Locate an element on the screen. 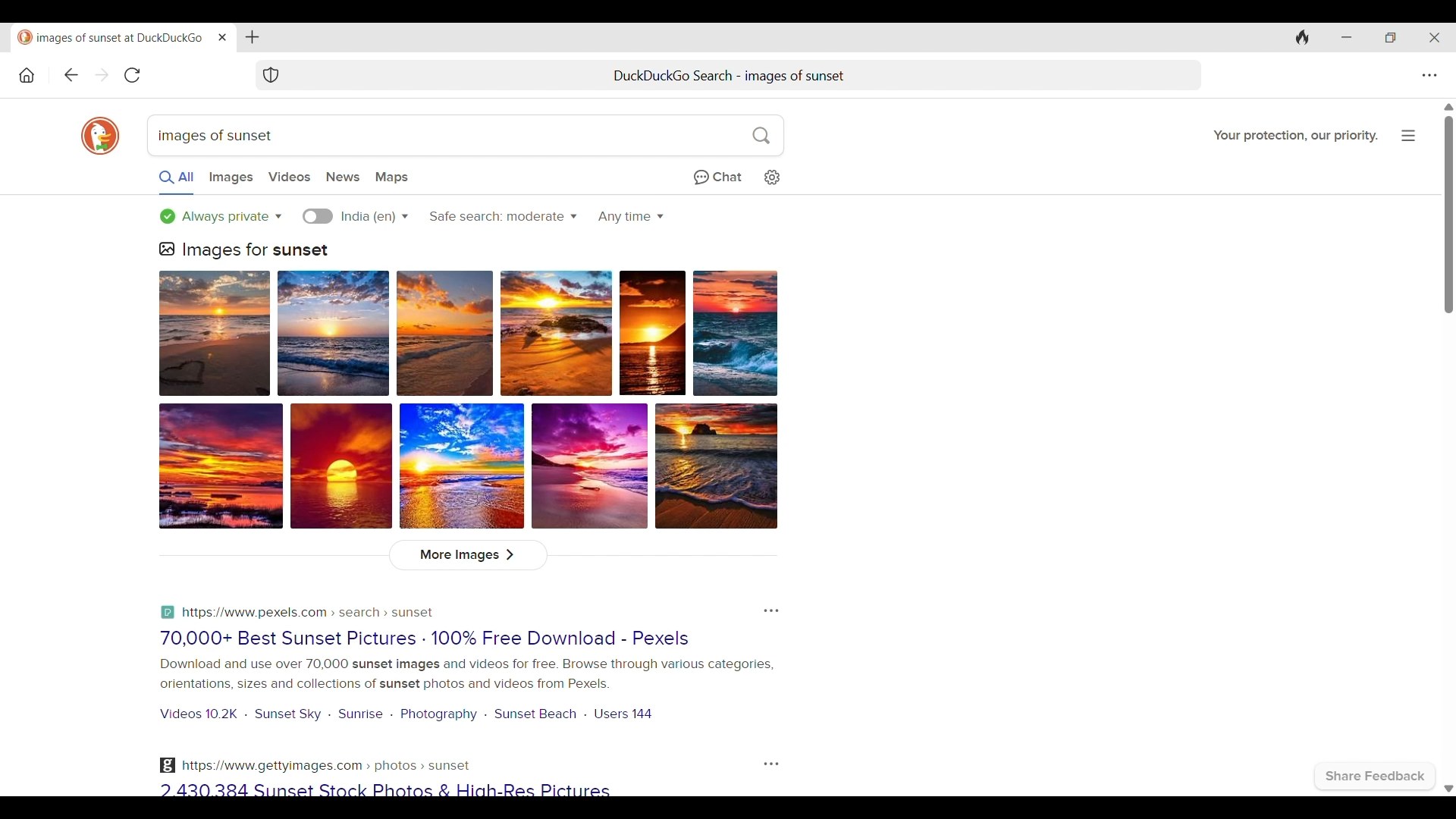  options is located at coordinates (768, 763).